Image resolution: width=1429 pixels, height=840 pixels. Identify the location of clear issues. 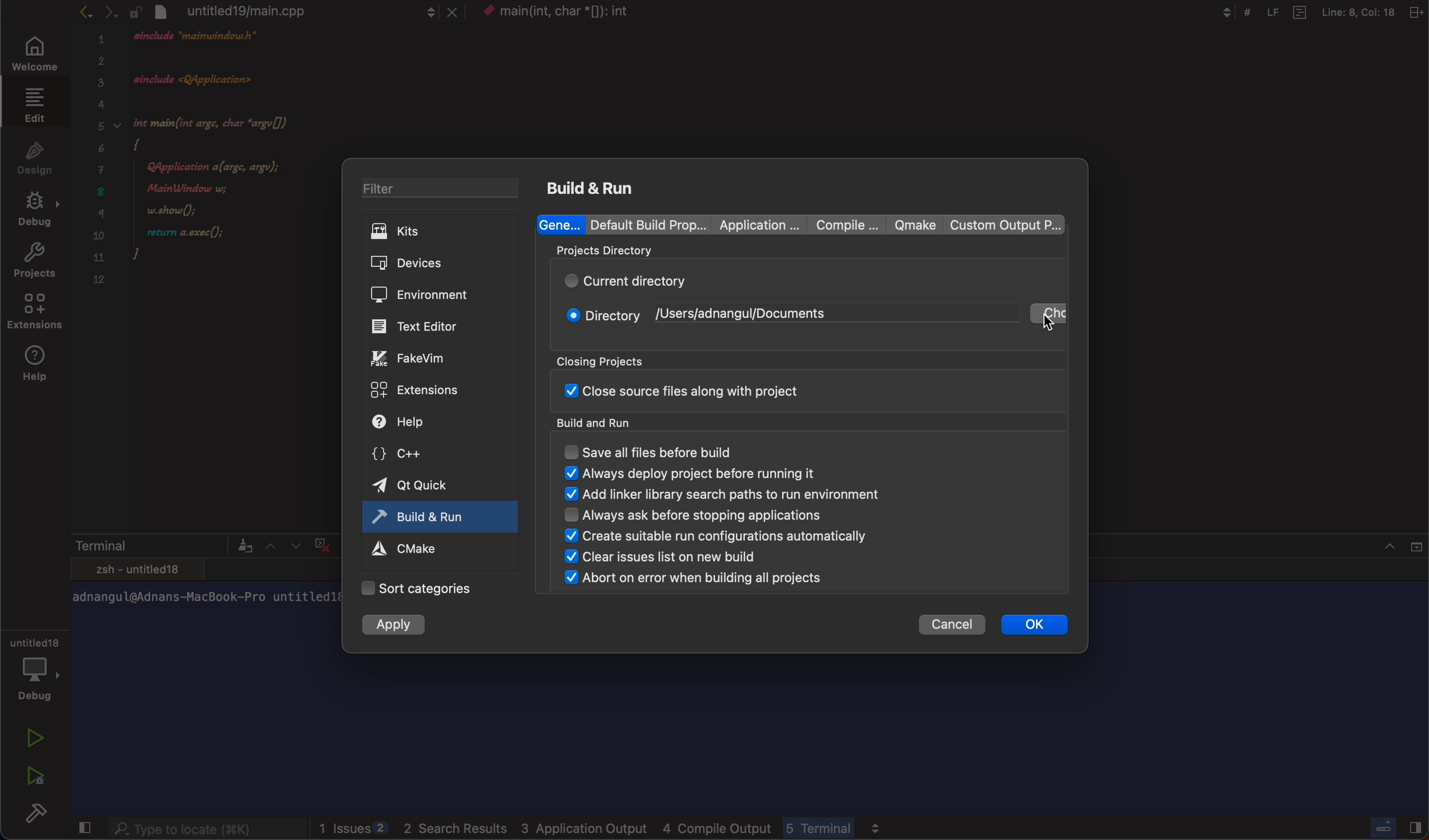
(659, 558).